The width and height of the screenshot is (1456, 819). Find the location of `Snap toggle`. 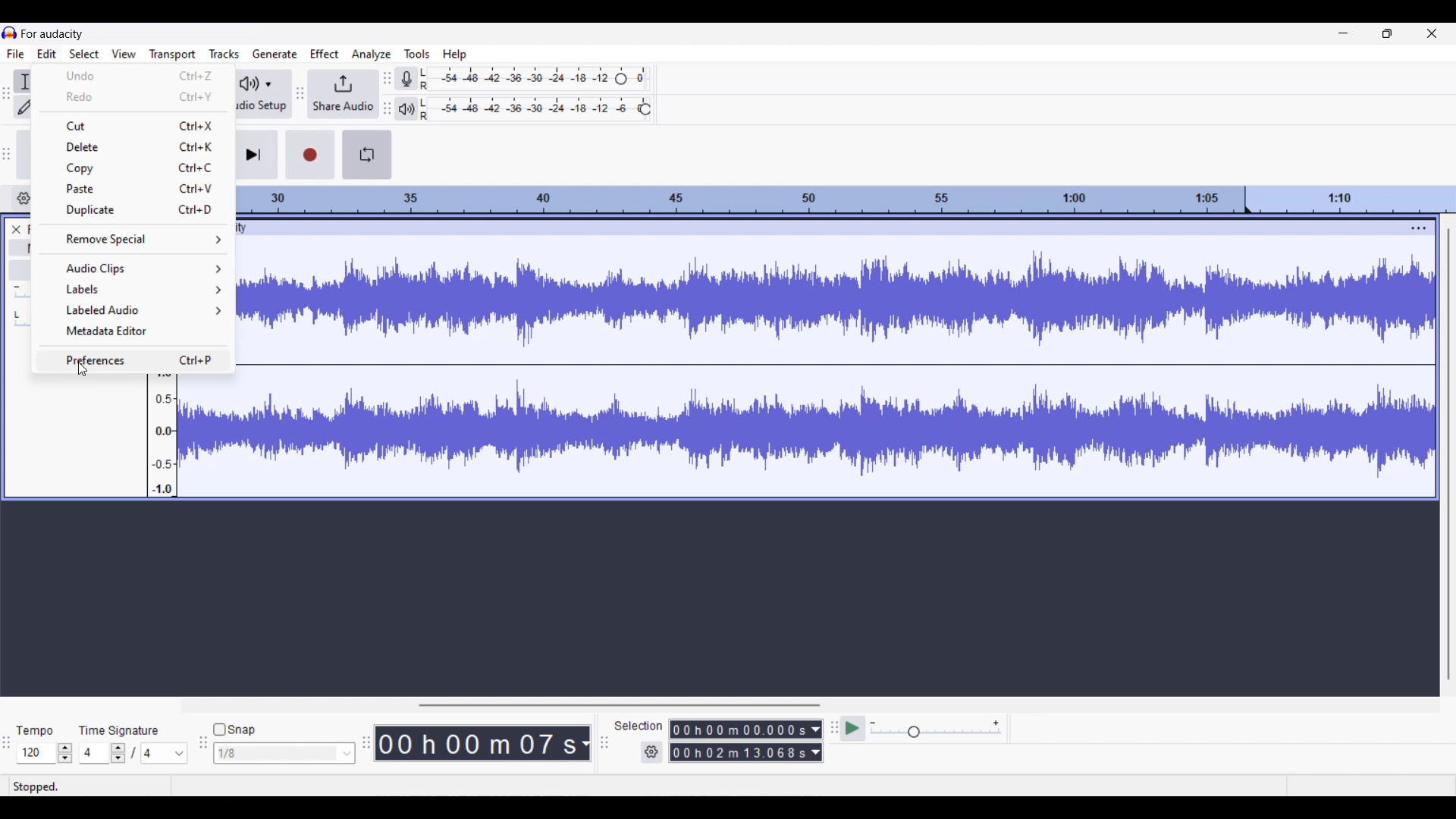

Snap toggle is located at coordinates (234, 730).